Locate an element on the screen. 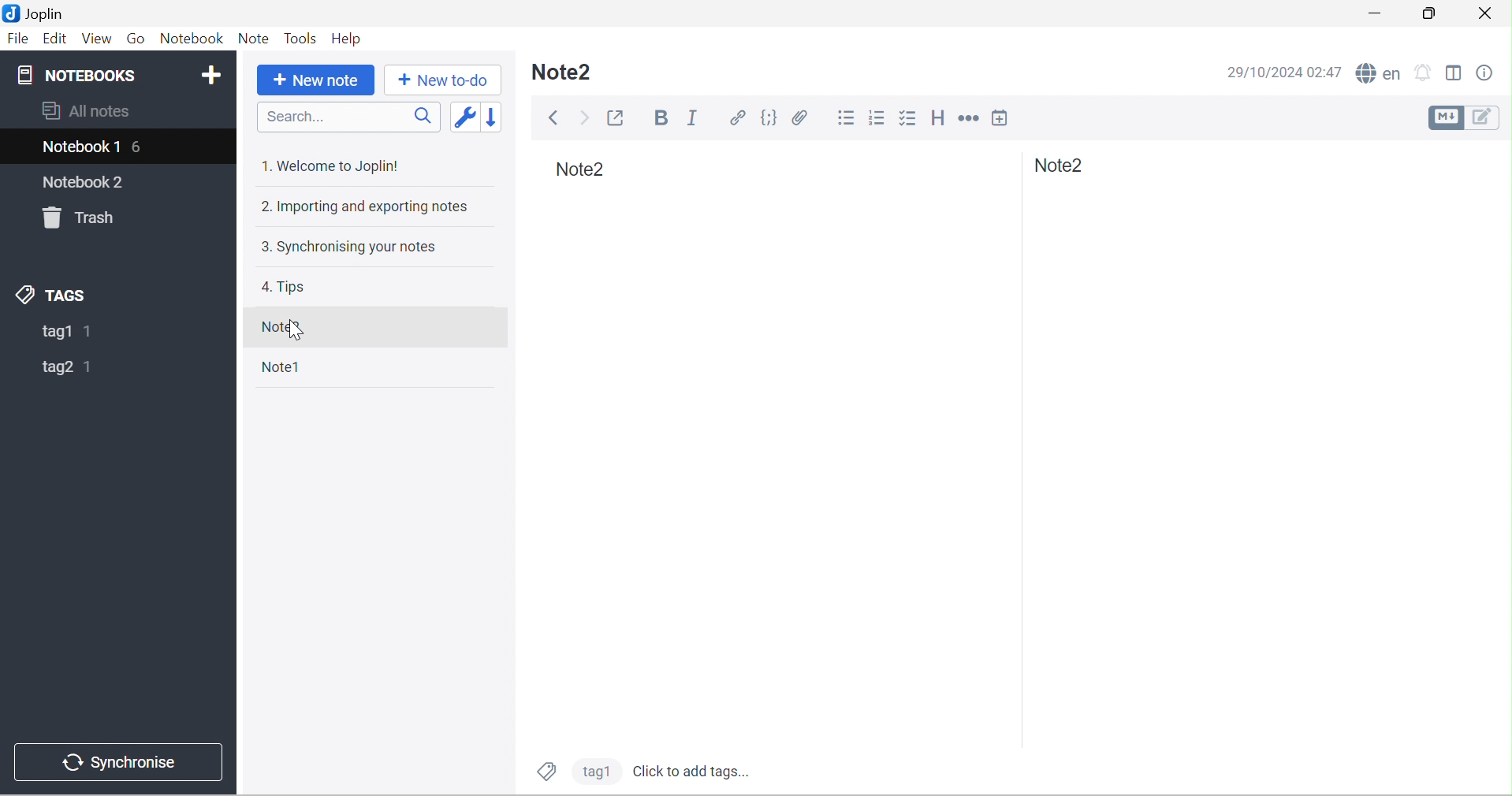  1 is located at coordinates (88, 370).